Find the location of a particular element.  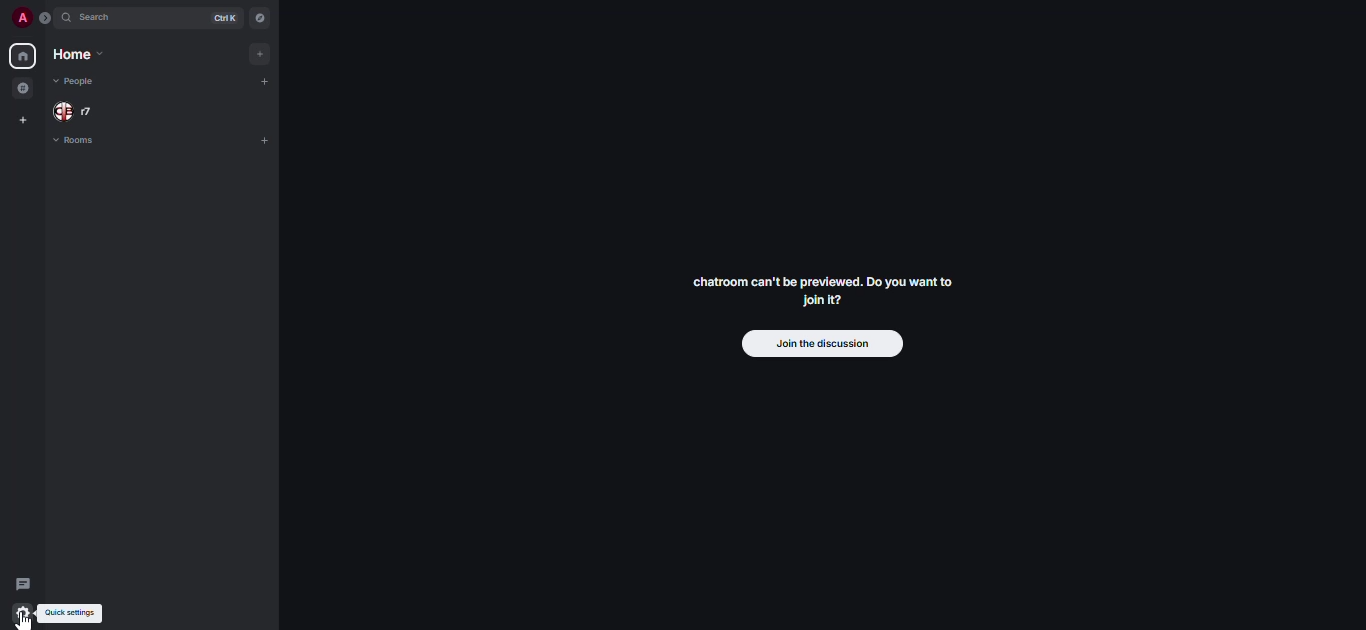

join the discussion is located at coordinates (822, 343).